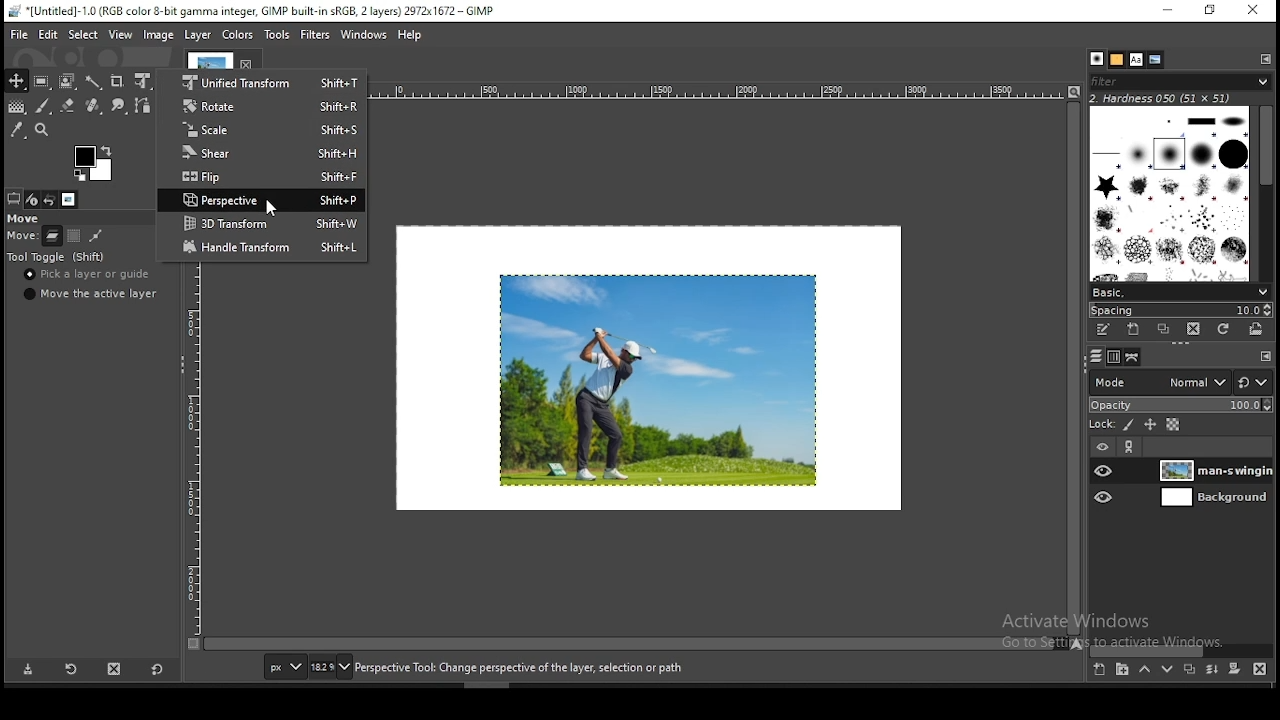  What do you see at coordinates (263, 200) in the screenshot?
I see `perspective` at bounding box center [263, 200].